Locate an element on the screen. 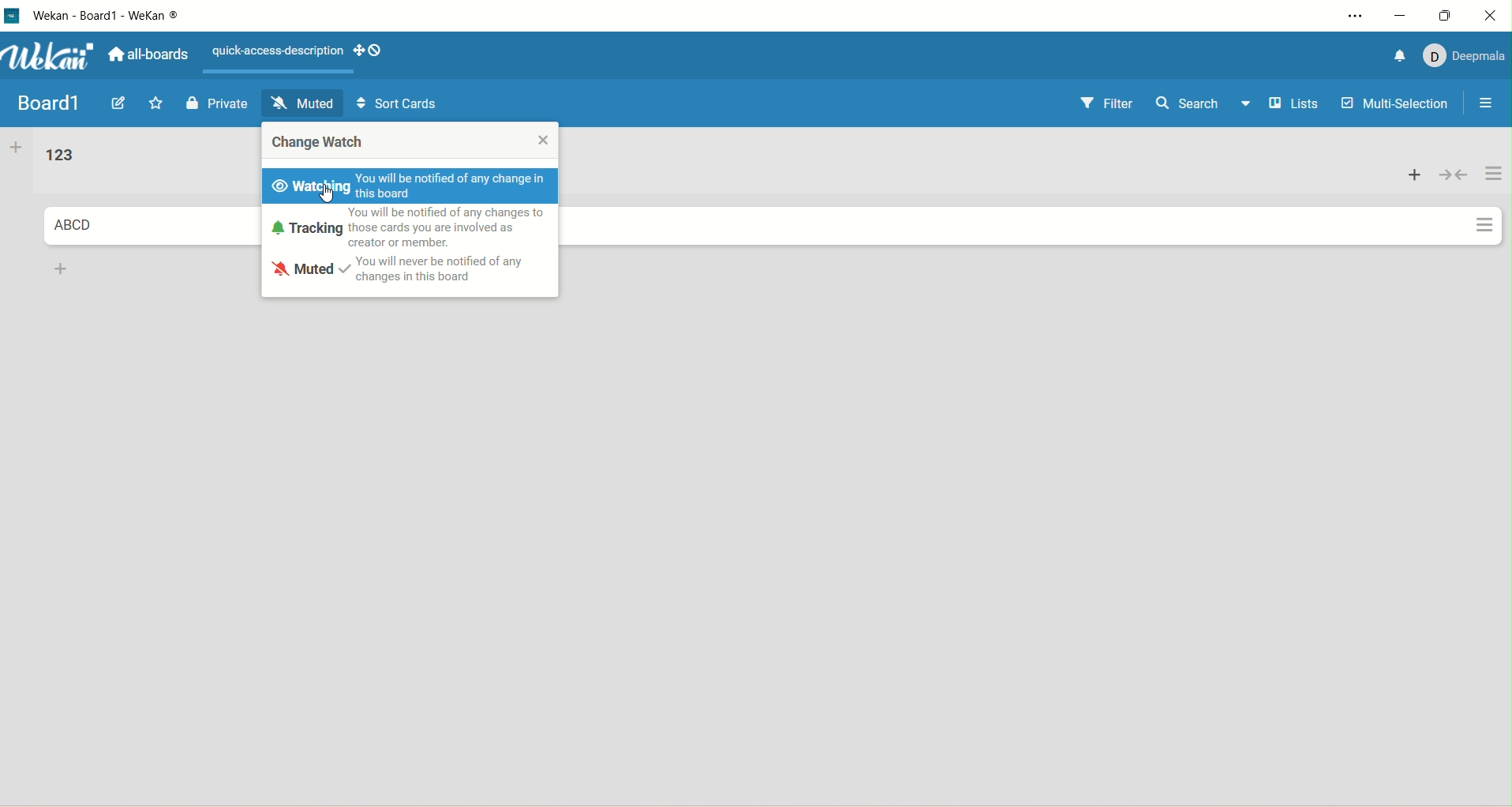  sort cards is located at coordinates (399, 107).